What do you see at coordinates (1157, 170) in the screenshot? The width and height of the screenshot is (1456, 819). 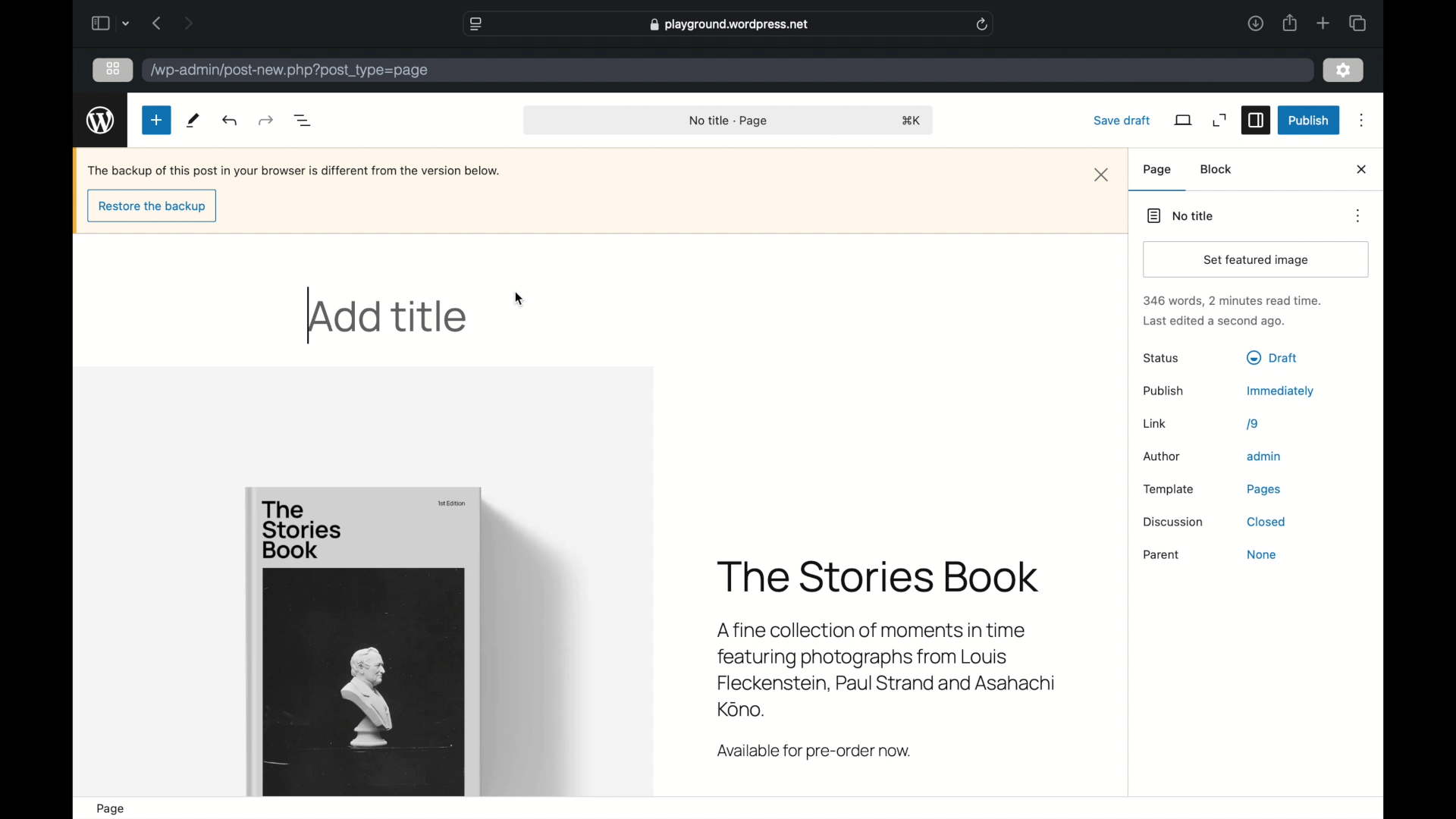 I see `page` at bounding box center [1157, 170].